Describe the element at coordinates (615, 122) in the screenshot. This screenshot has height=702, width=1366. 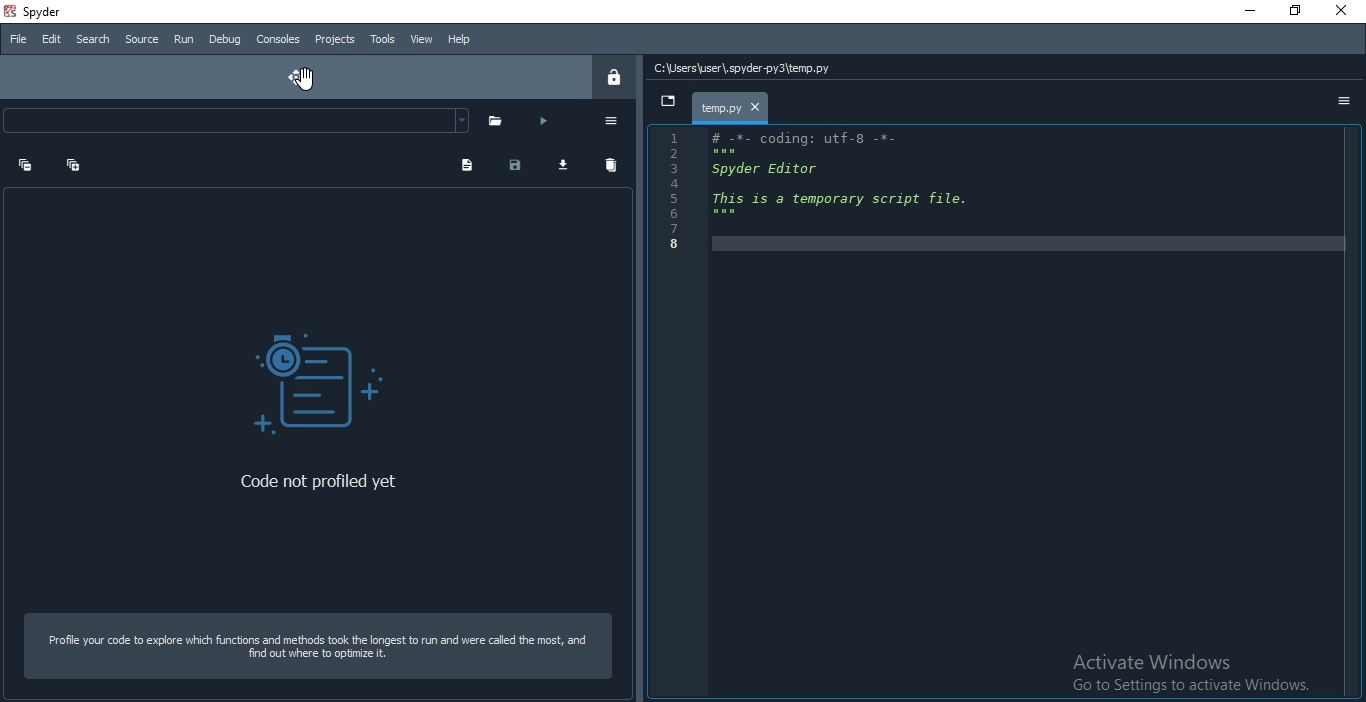
I see `options` at that location.